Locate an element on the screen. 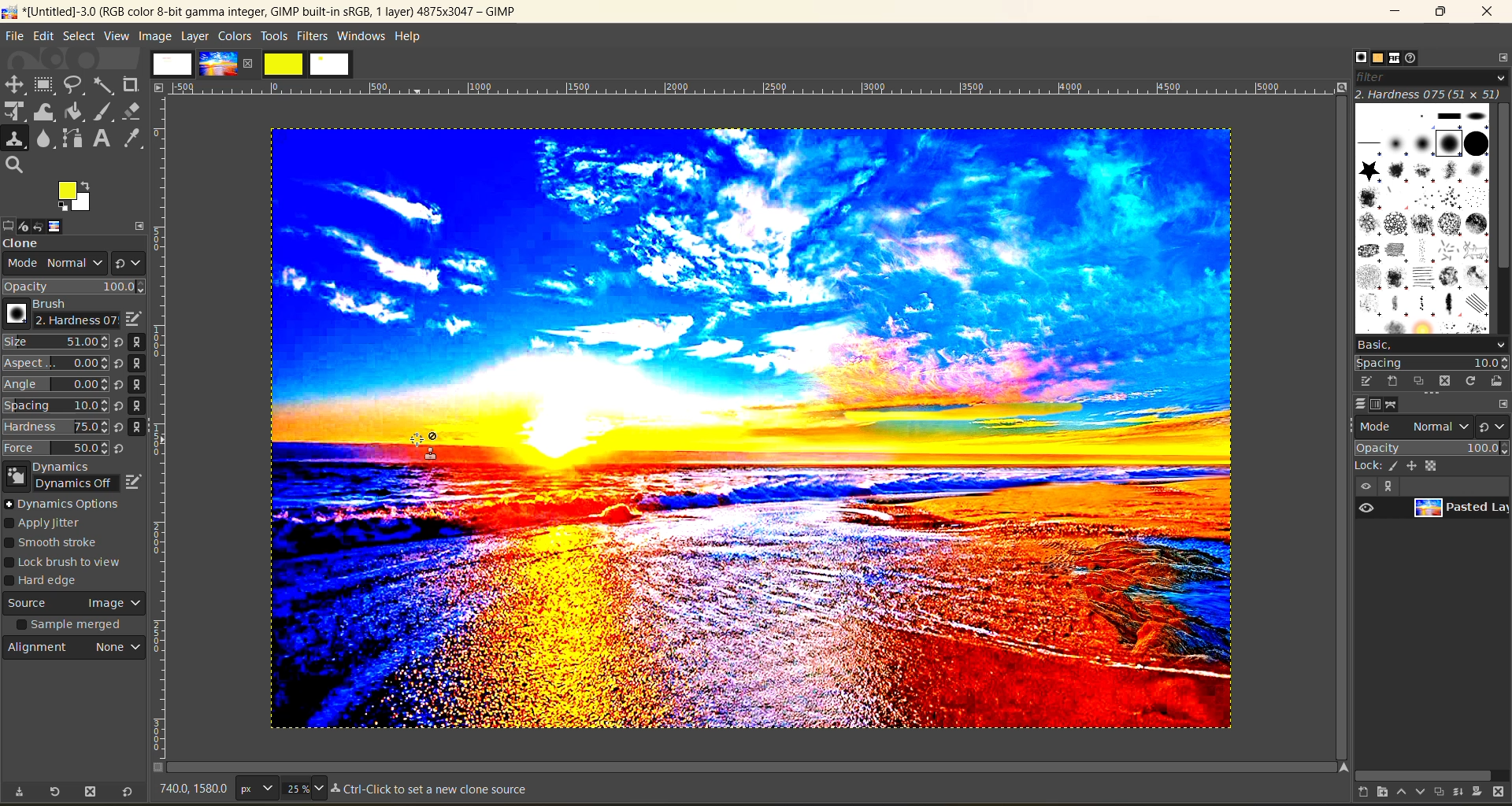 The height and width of the screenshot is (806, 1512). colors is located at coordinates (234, 35).